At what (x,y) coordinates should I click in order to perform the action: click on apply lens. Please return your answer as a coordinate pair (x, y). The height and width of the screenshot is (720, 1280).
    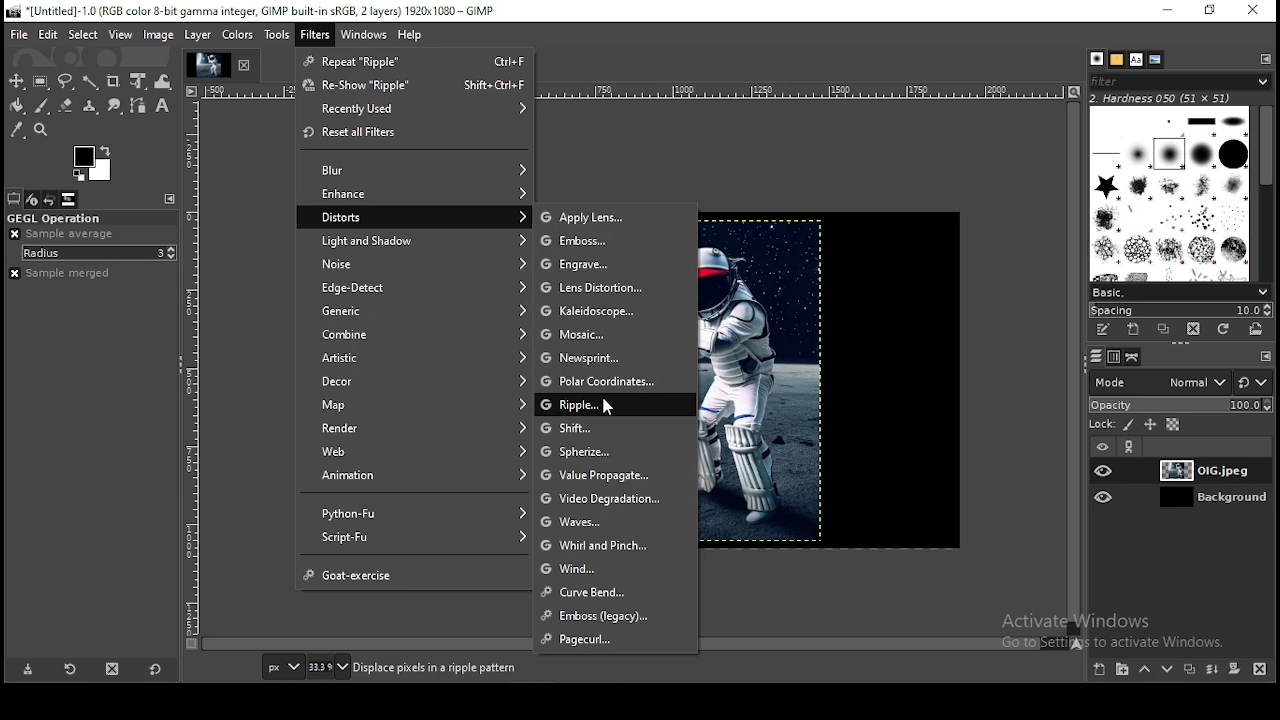
    Looking at the image, I should click on (597, 218).